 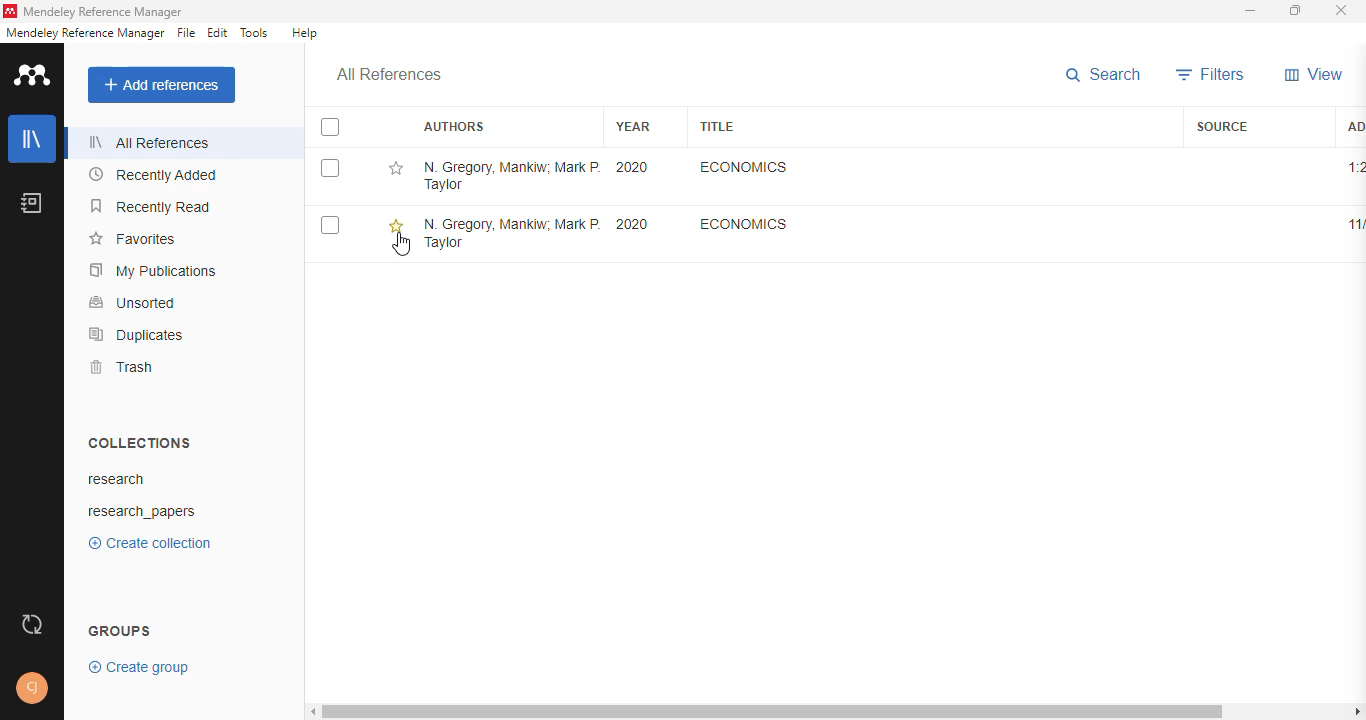 I want to click on profile, so click(x=32, y=688).